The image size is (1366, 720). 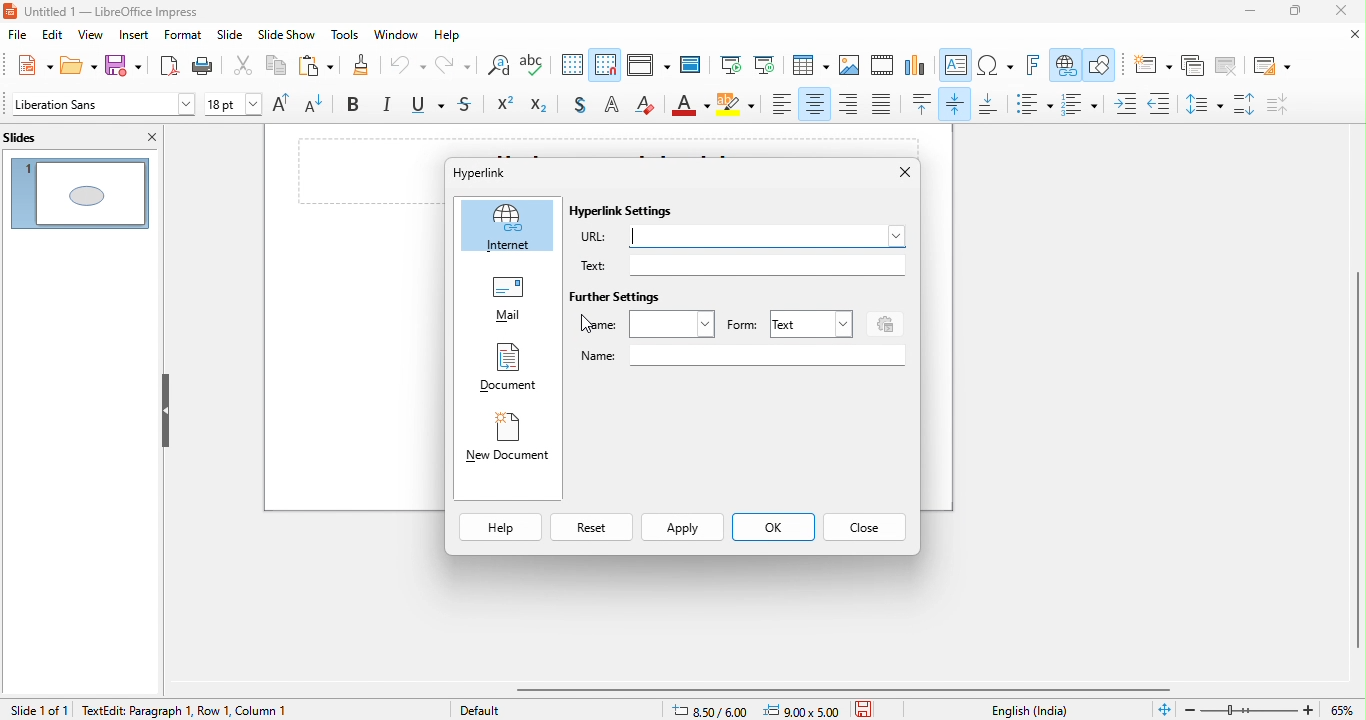 I want to click on new document, so click(x=507, y=442).